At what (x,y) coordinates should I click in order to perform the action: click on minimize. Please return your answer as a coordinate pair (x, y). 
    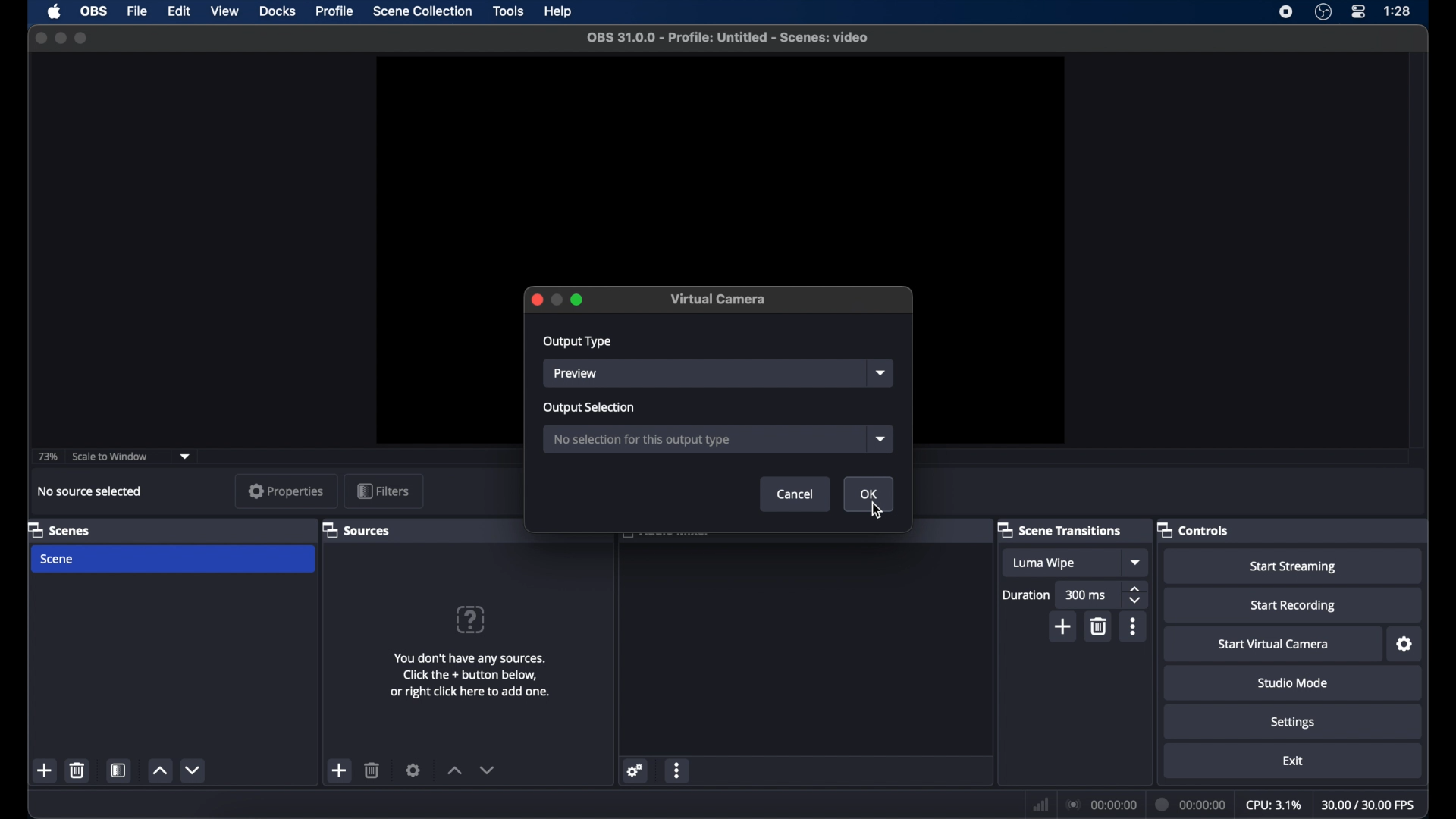
    Looking at the image, I should click on (556, 300).